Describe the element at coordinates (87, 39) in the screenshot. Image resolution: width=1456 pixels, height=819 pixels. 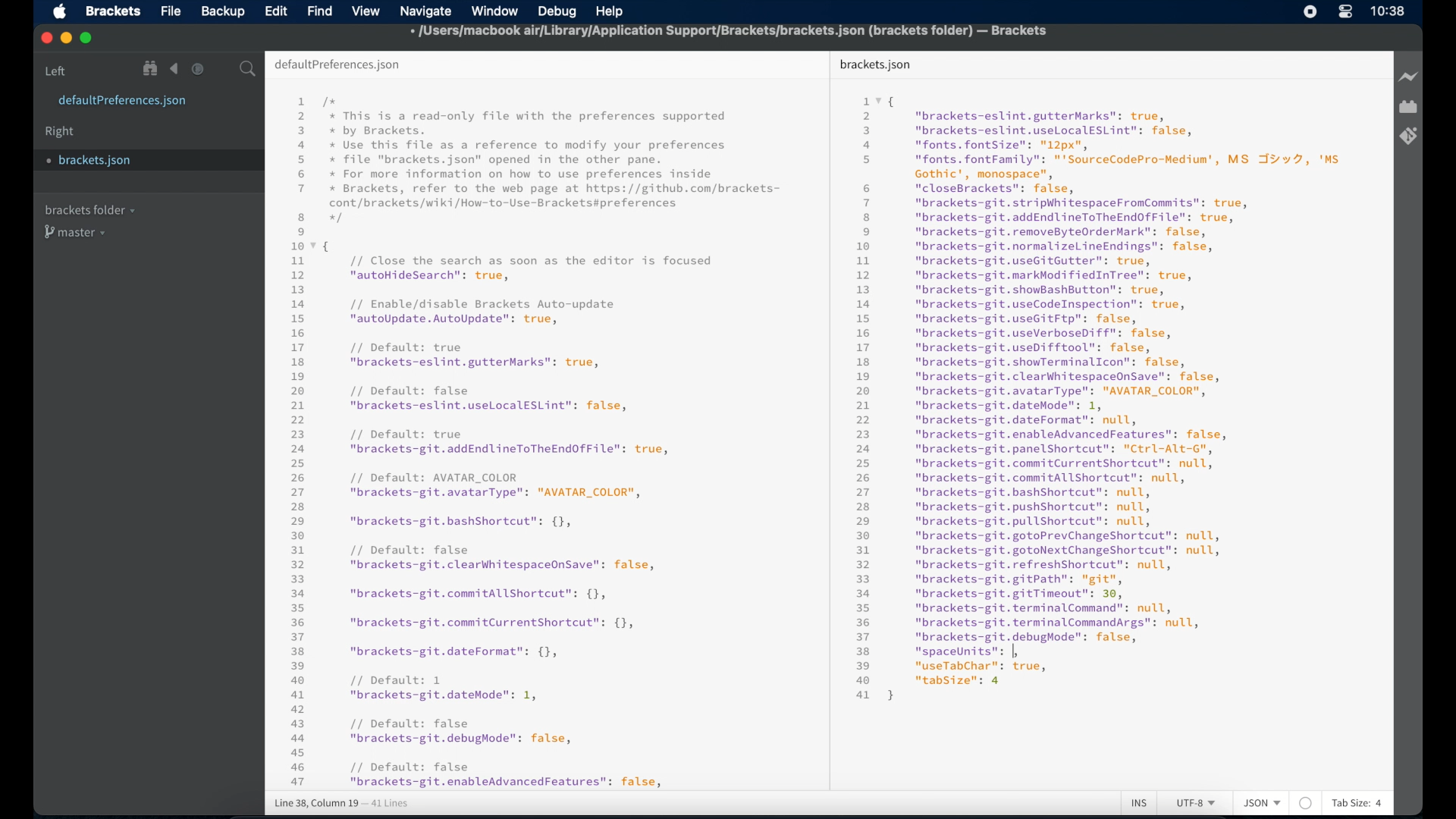
I see `maximize` at that location.